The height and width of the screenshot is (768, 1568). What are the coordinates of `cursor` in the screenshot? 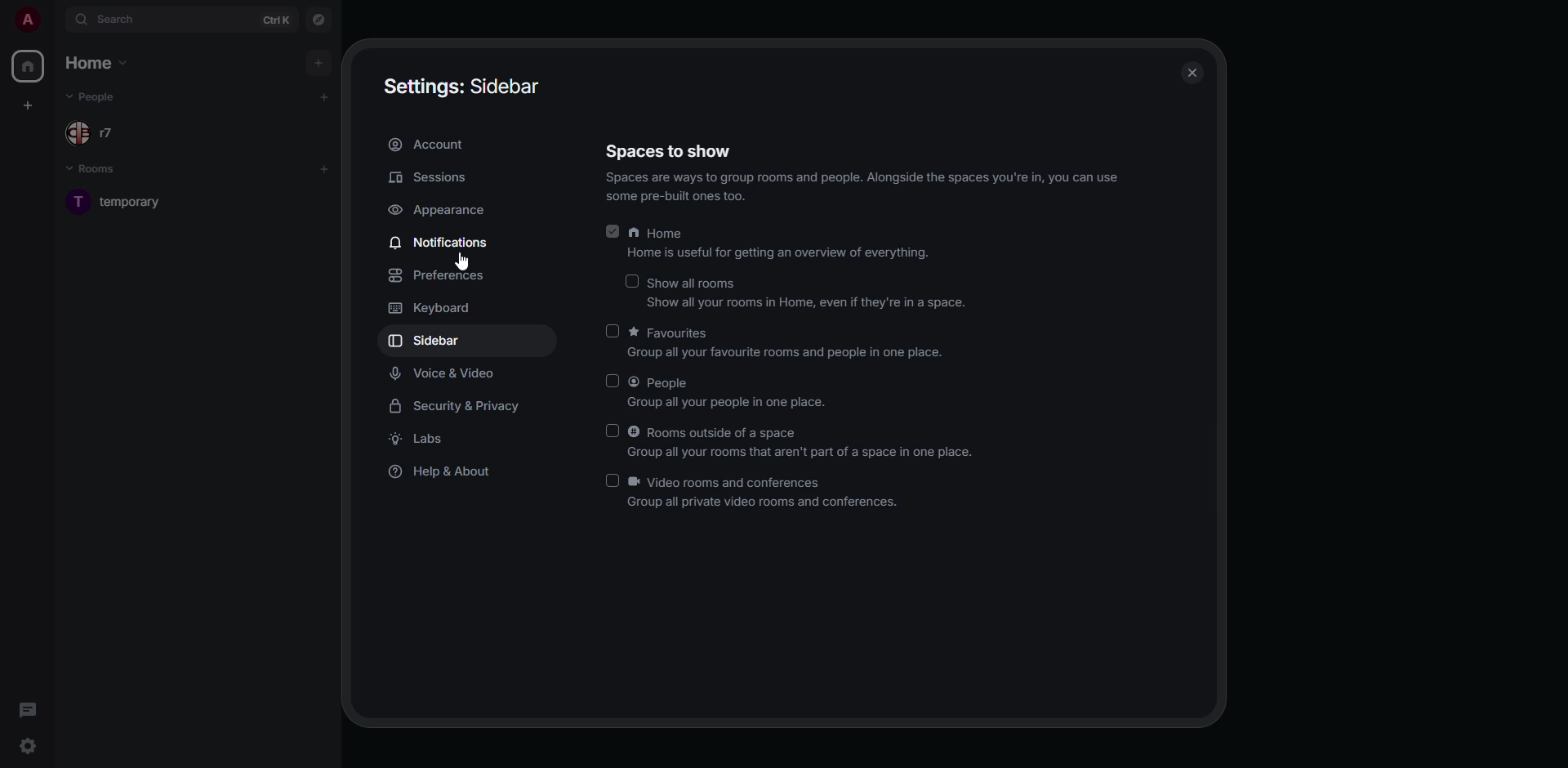 It's located at (458, 260).